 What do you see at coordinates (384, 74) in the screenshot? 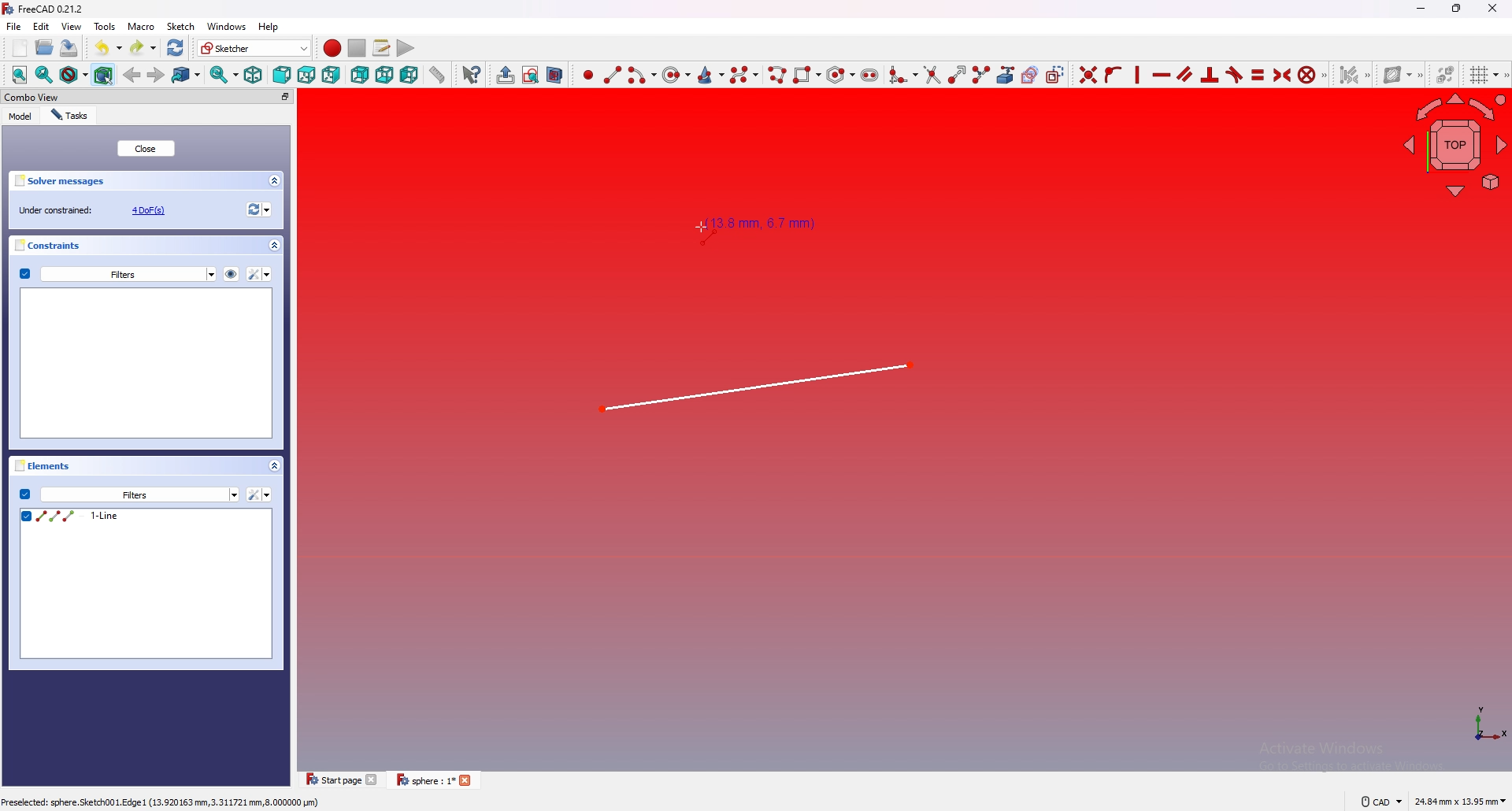
I see `Bottom` at bounding box center [384, 74].